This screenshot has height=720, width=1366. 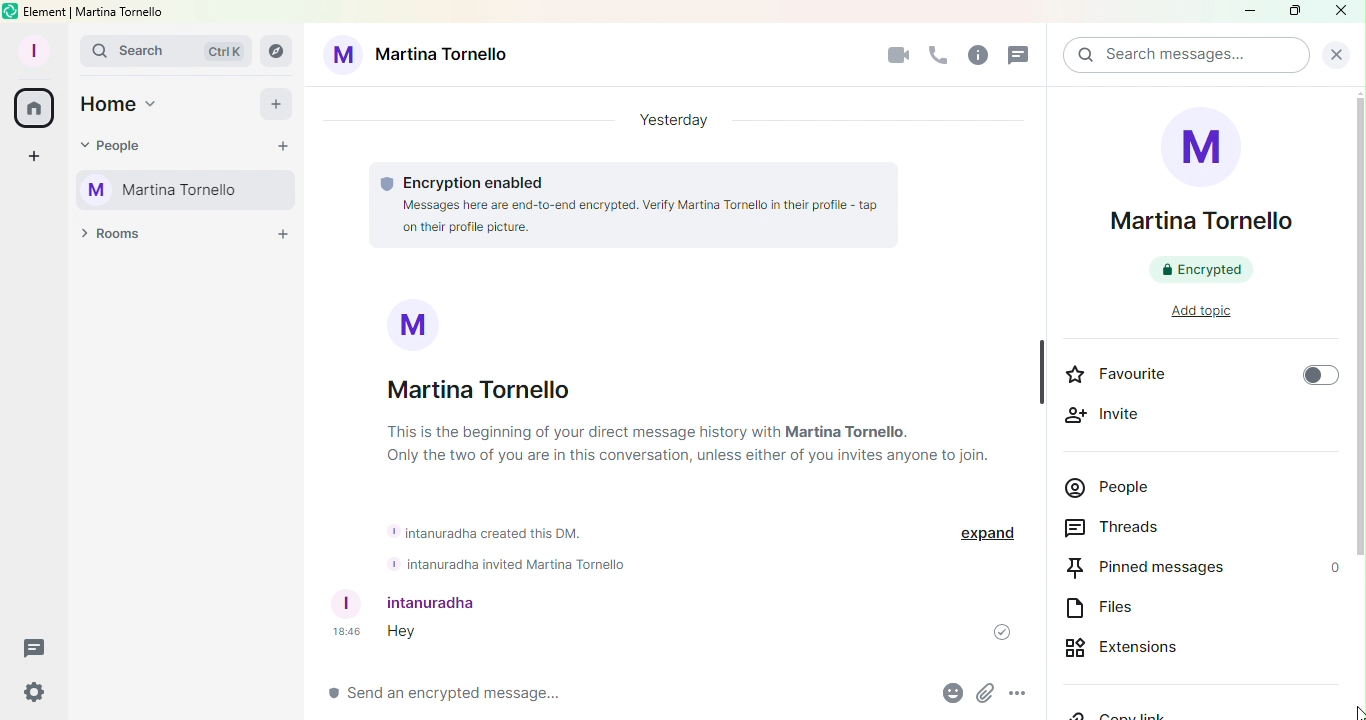 What do you see at coordinates (31, 48) in the screenshot?
I see `Profile` at bounding box center [31, 48].